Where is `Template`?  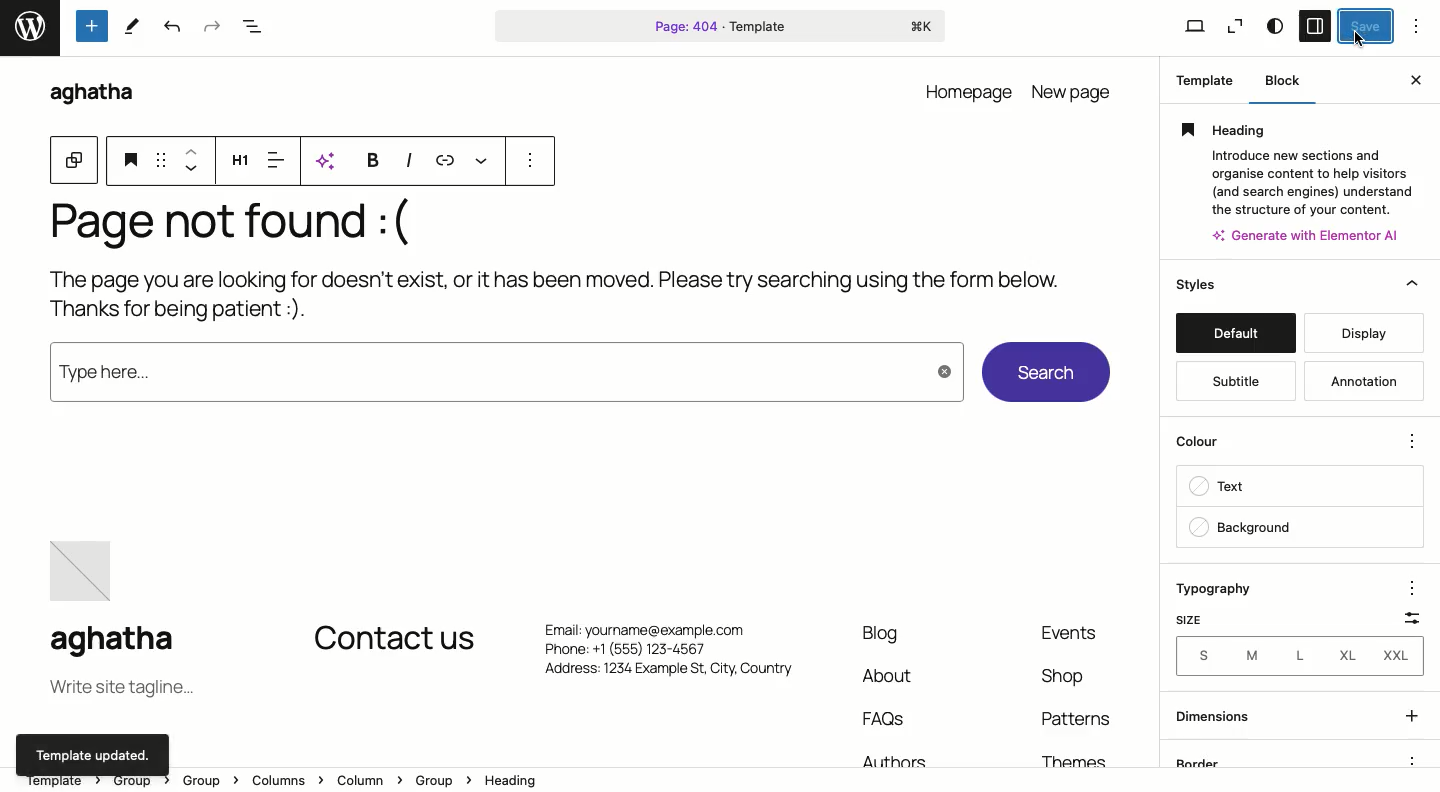 Template is located at coordinates (1199, 79).